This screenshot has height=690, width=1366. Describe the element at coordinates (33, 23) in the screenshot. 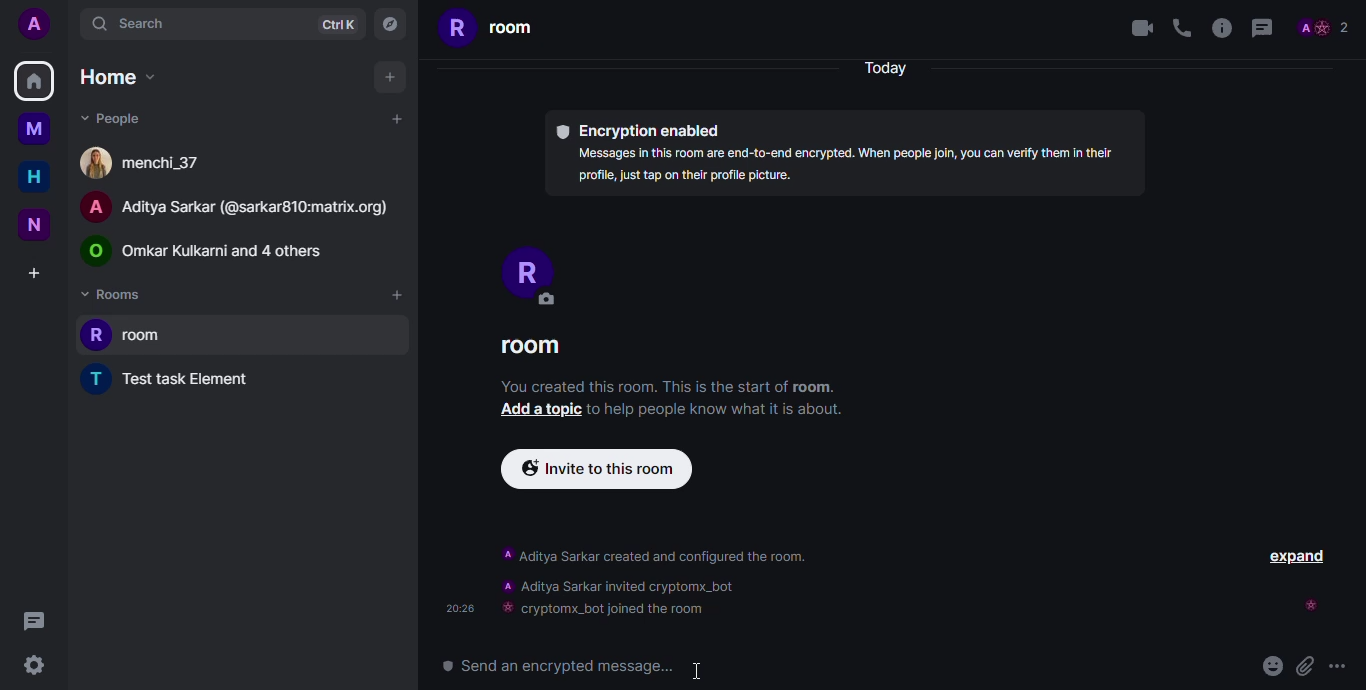

I see `add profile picture` at that location.